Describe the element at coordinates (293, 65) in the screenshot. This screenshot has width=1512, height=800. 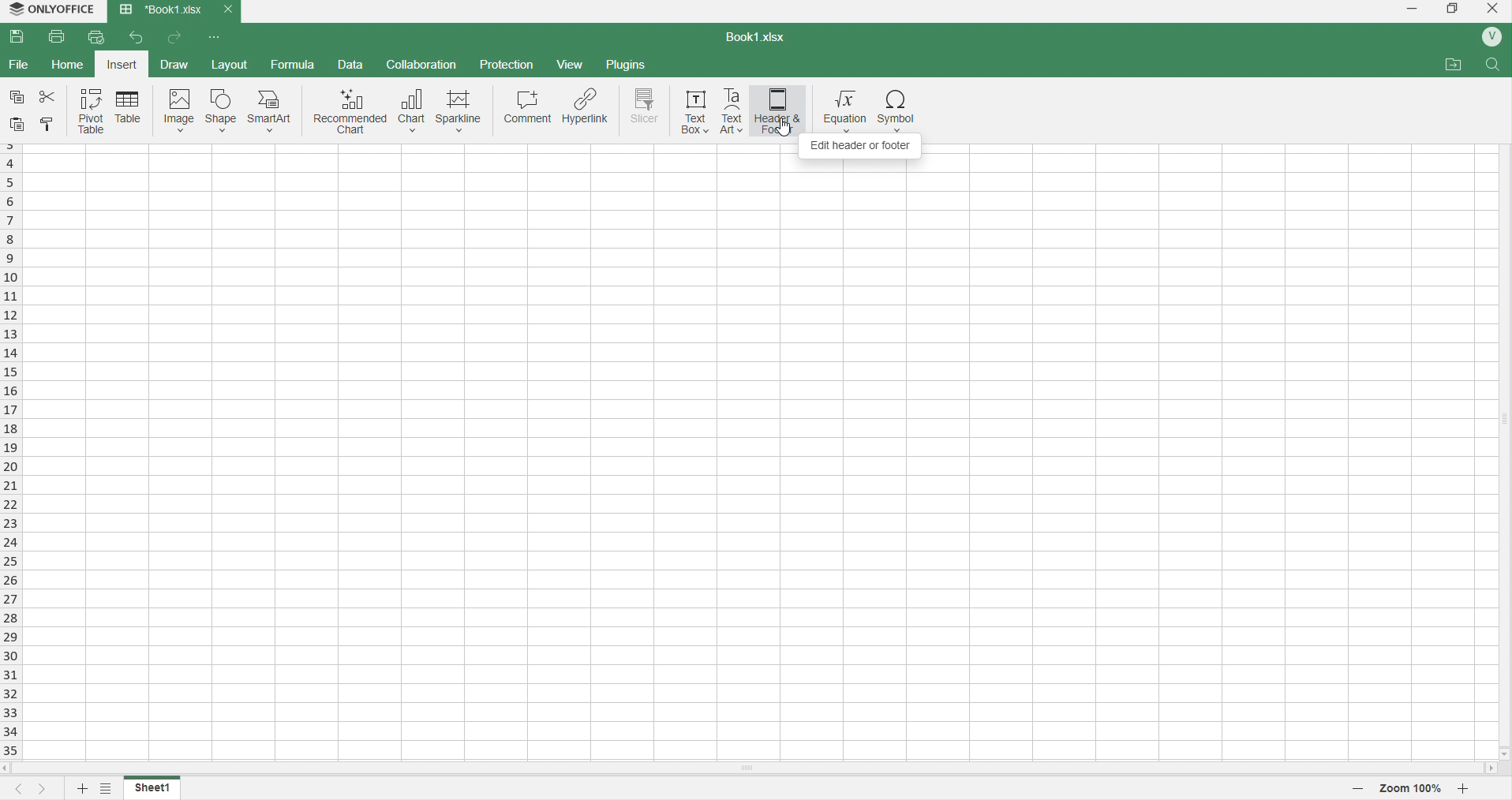
I see `formula` at that location.